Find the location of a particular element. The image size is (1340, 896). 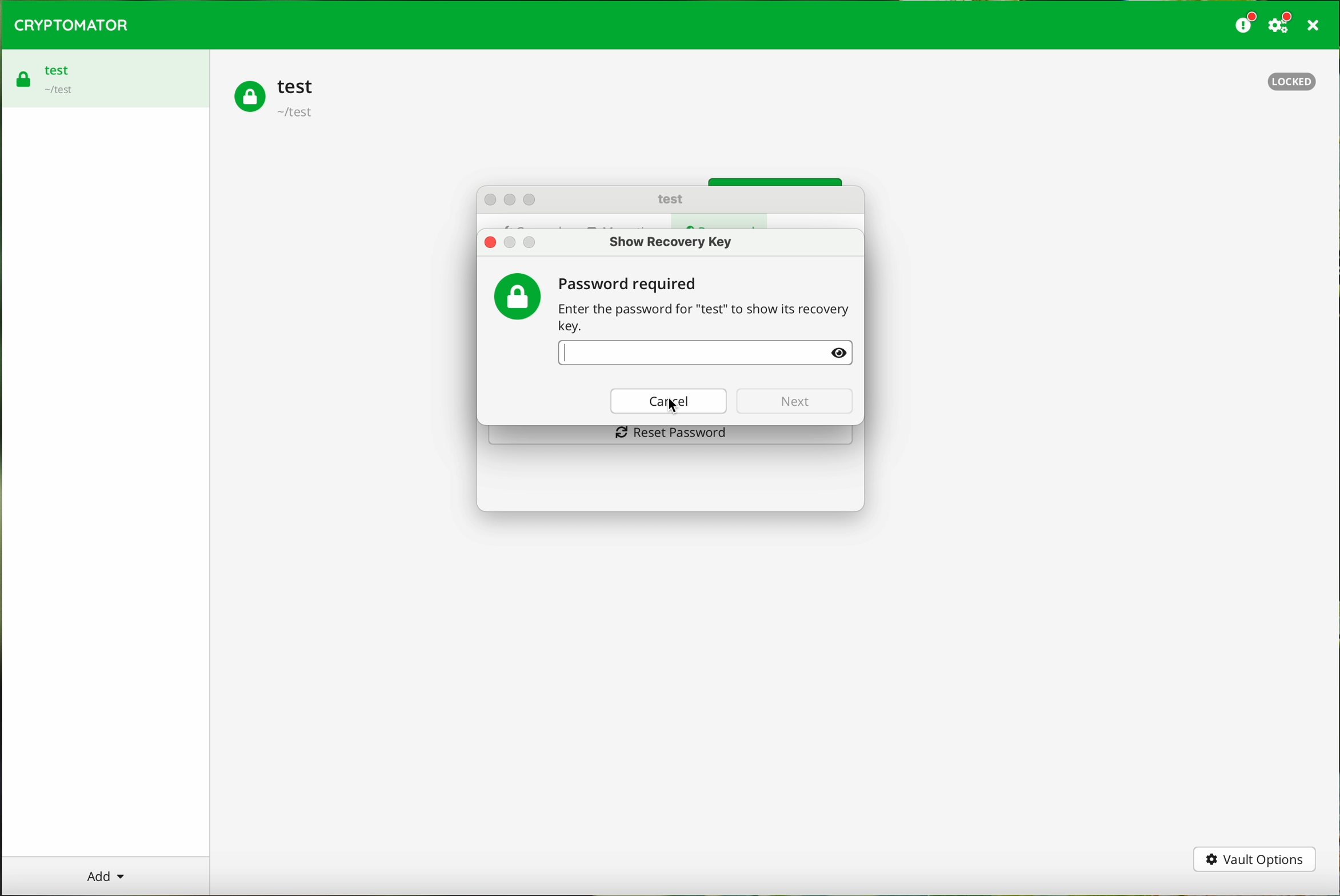

vault options is located at coordinates (1255, 861).